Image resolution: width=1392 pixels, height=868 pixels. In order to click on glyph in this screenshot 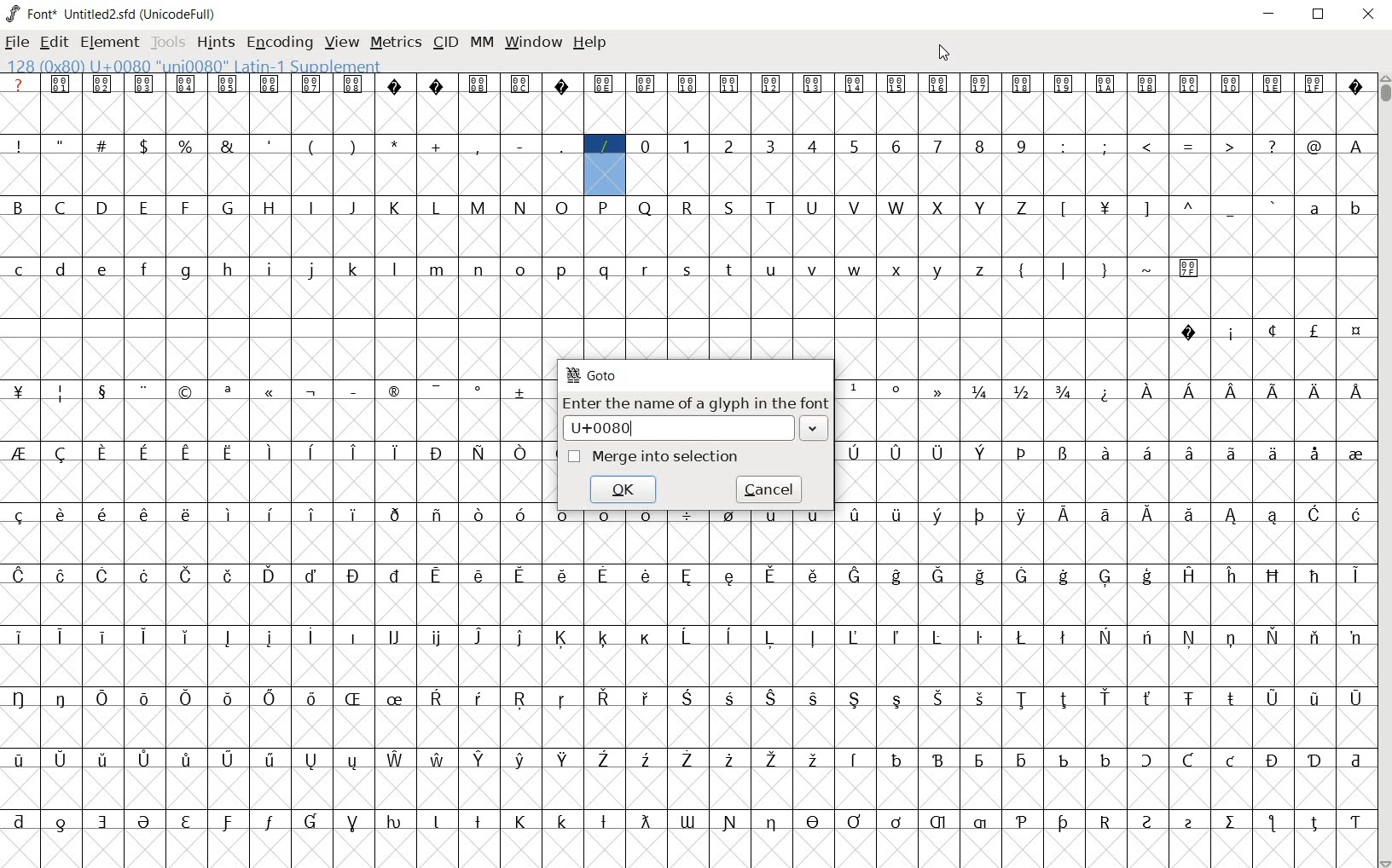, I will do `click(271, 393)`.